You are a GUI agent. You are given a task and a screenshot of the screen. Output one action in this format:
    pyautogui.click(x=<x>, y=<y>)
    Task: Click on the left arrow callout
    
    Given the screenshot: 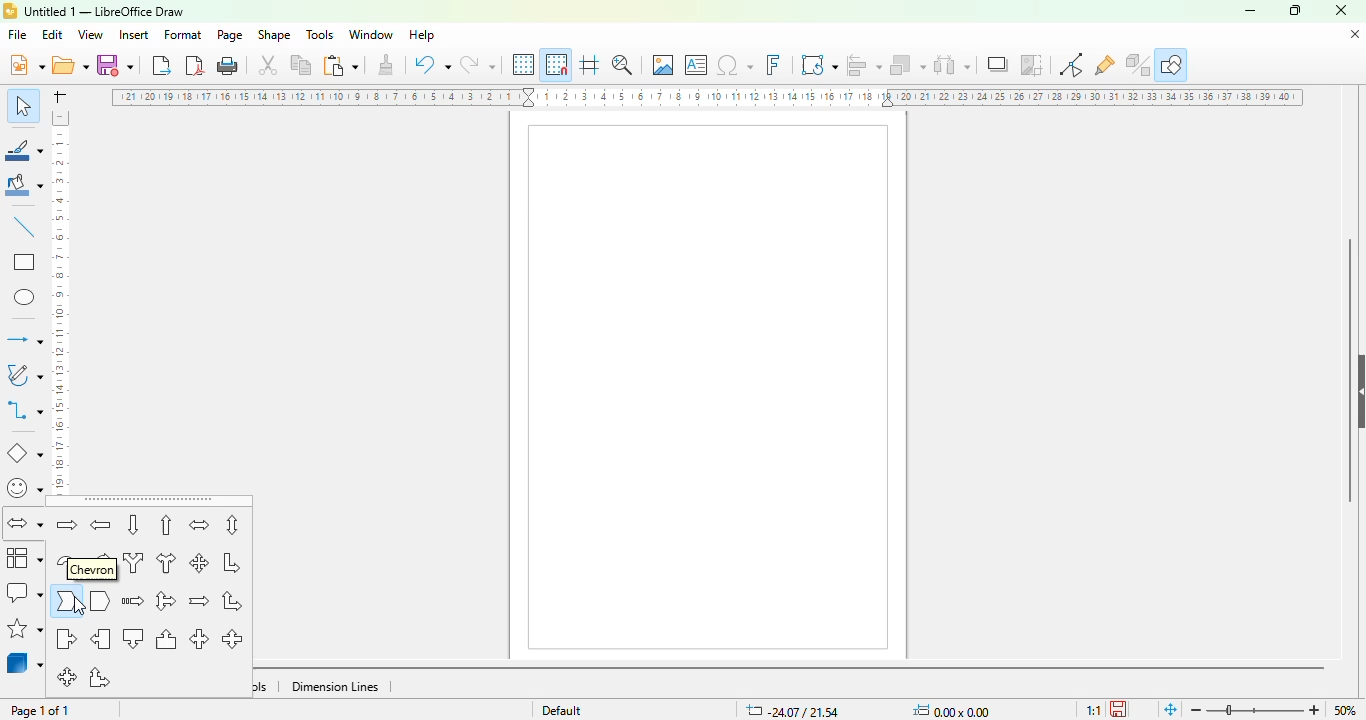 What is the action you would take?
    pyautogui.click(x=101, y=639)
    